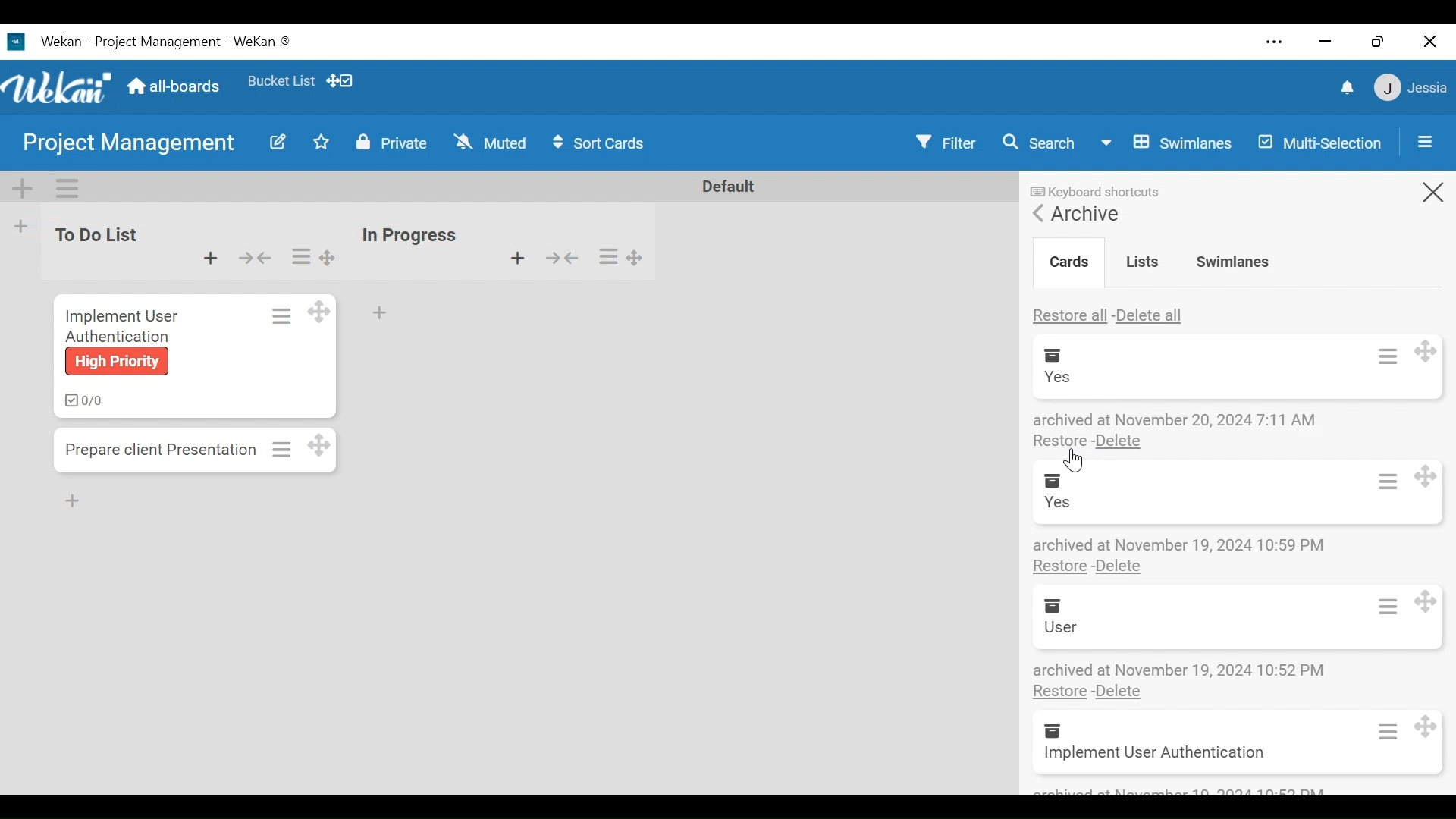  Describe the element at coordinates (86, 506) in the screenshot. I see `Add Card Bottom of the list` at that location.